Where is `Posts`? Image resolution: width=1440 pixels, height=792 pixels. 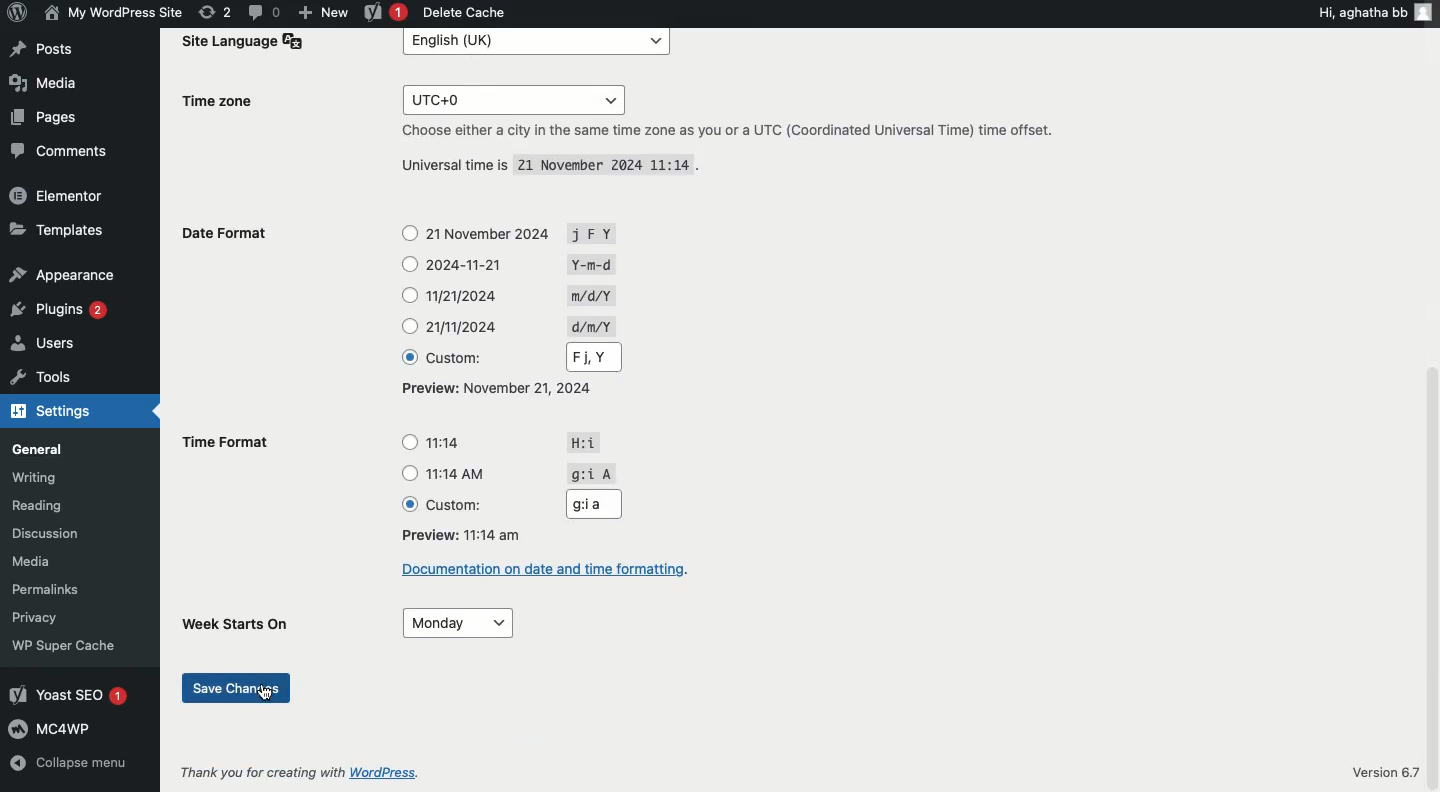 Posts is located at coordinates (42, 49).